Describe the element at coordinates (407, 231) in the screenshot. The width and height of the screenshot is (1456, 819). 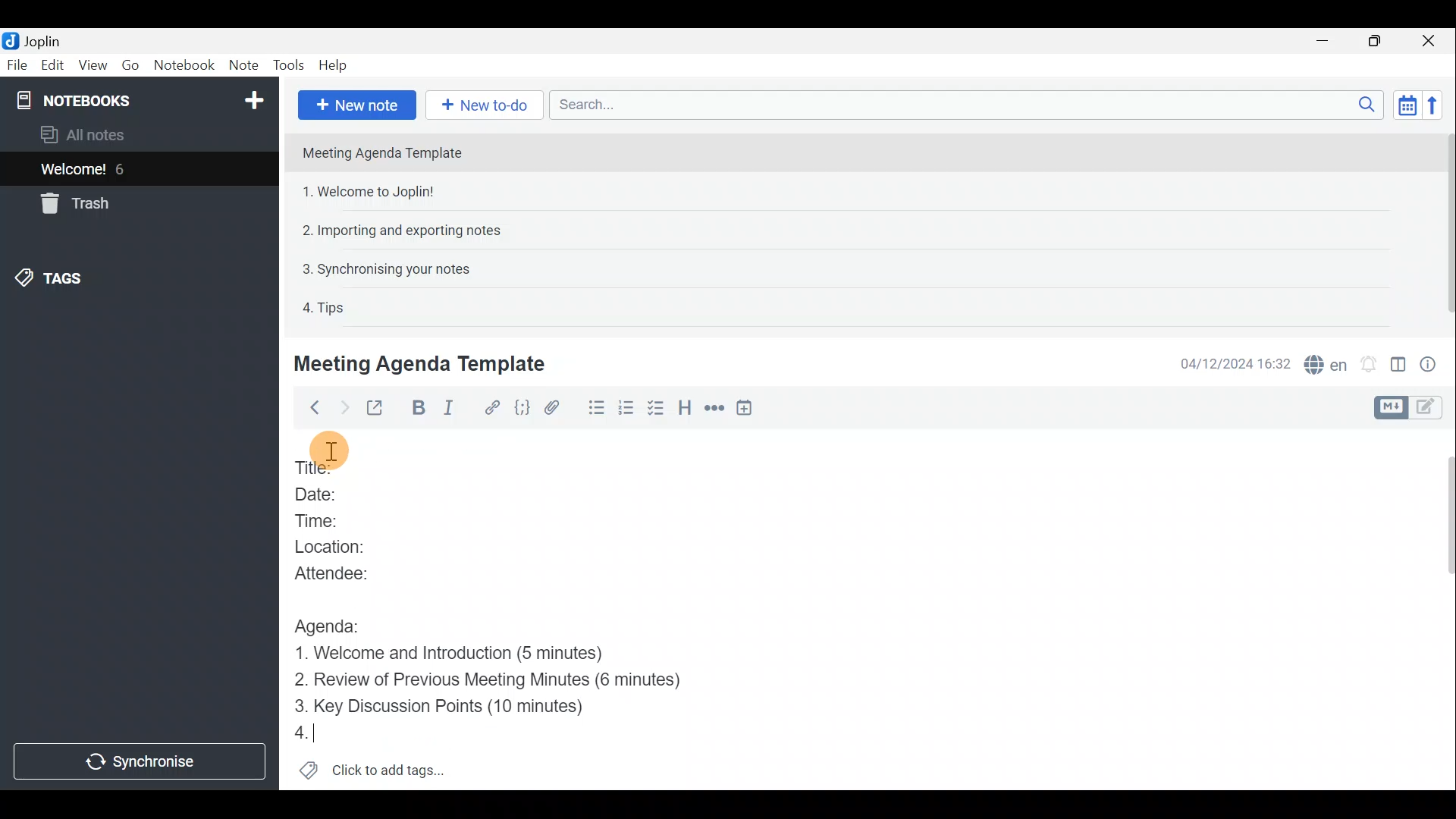
I see `2. Importing and exporting notes` at that location.